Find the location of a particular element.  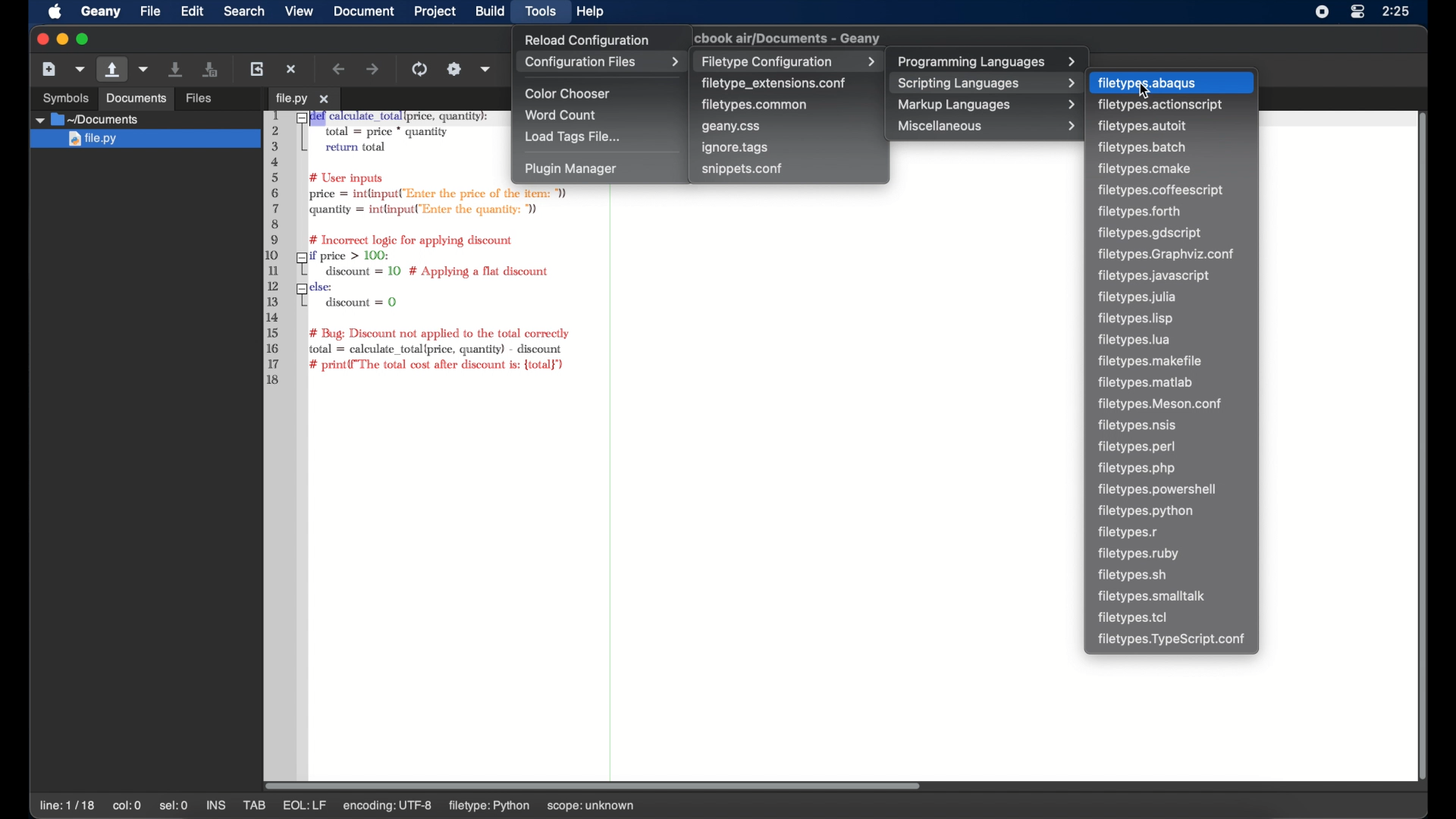

control center is located at coordinates (1357, 11).